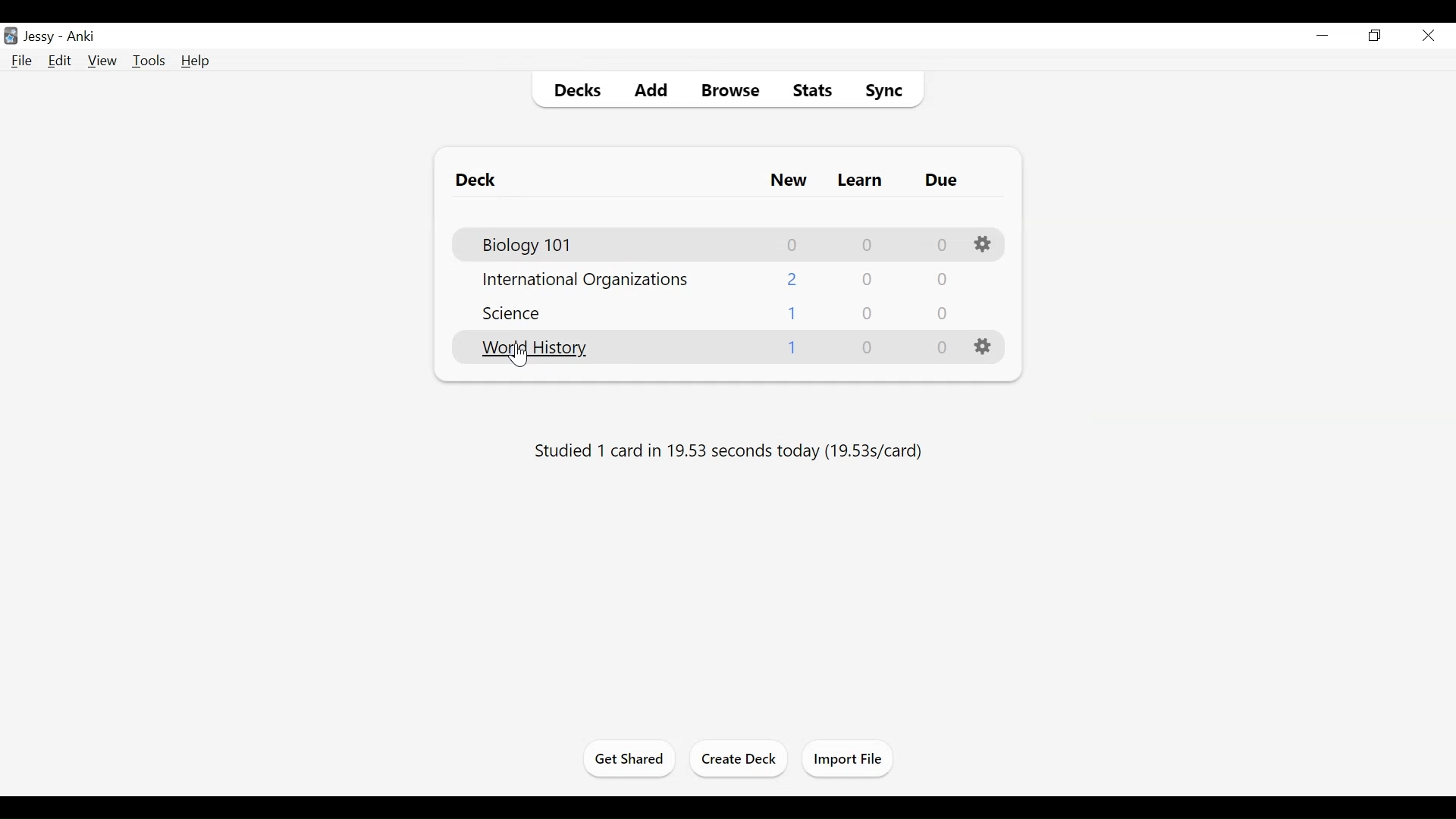 The height and width of the screenshot is (819, 1456). I want to click on User Name, so click(39, 38).